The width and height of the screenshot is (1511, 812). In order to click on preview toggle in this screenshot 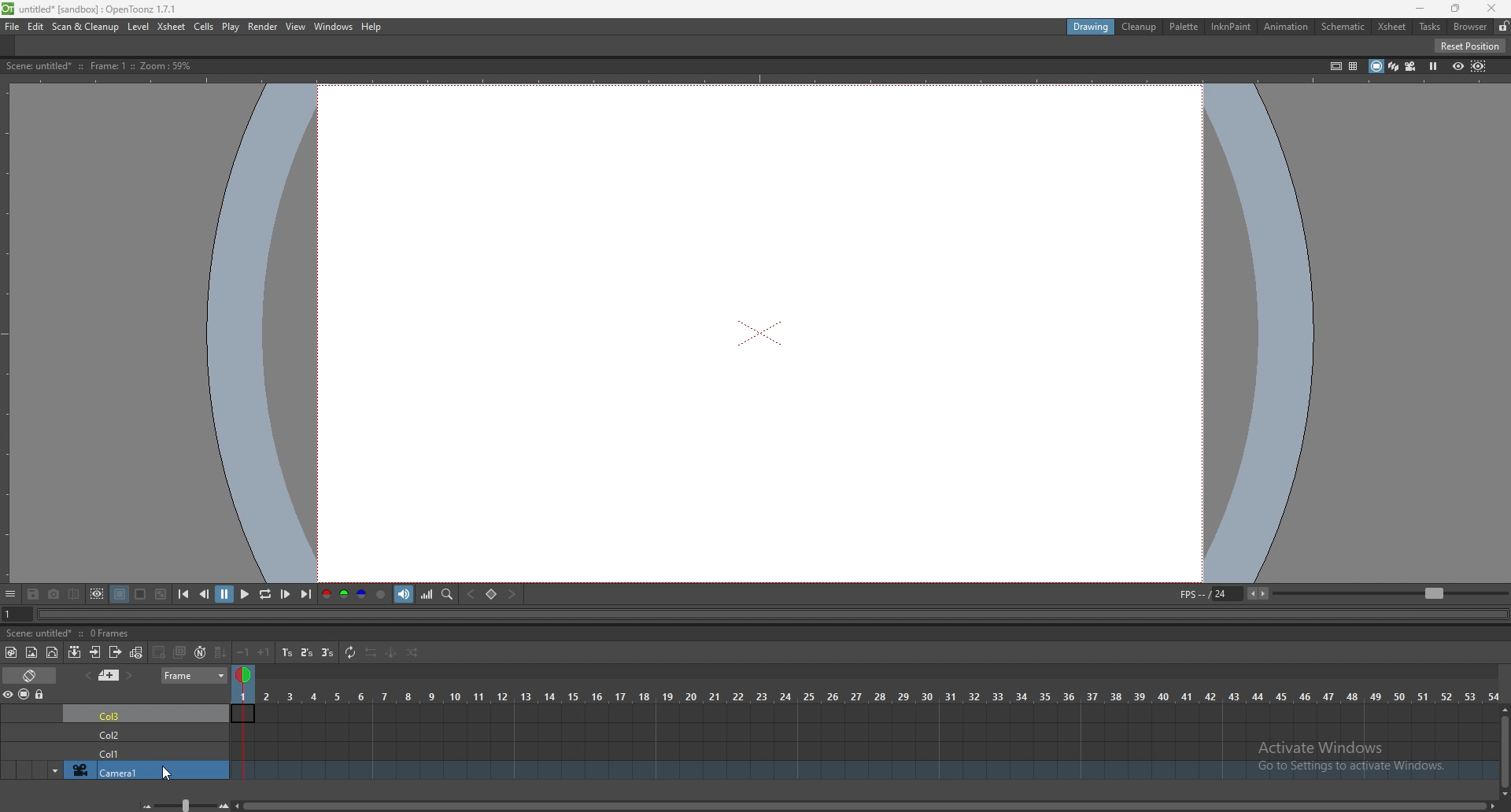, I will do `click(9, 694)`.